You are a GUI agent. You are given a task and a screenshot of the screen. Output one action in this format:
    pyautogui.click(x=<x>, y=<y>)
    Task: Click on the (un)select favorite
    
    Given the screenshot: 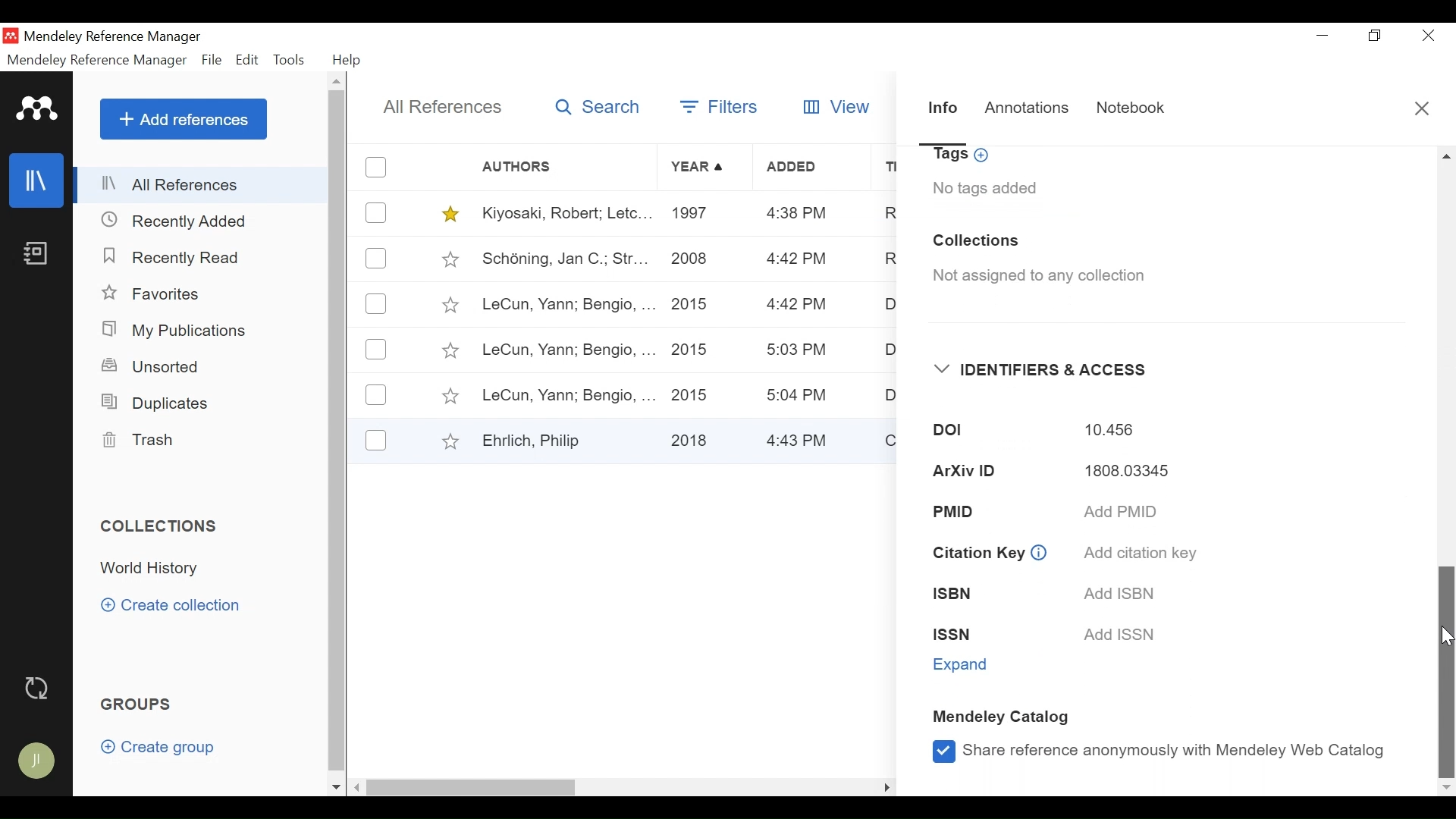 What is the action you would take?
    pyautogui.click(x=449, y=305)
    